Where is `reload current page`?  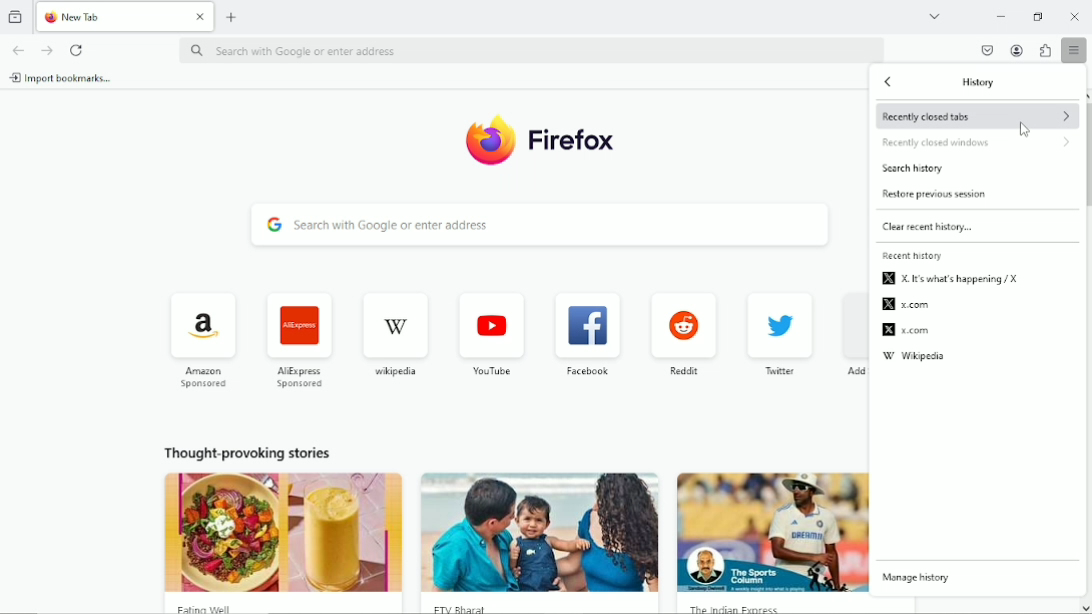 reload current page is located at coordinates (76, 50).